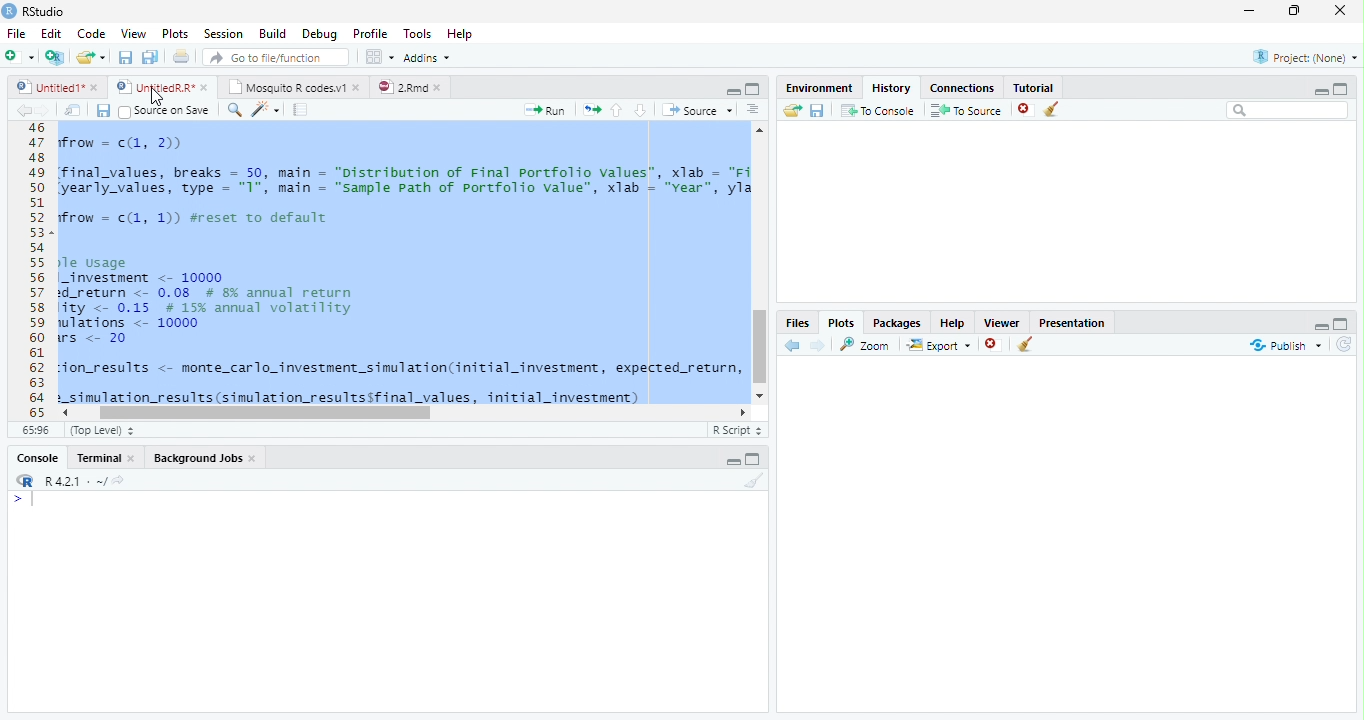 Image resolution: width=1364 pixels, height=720 pixels. I want to click on Search, so click(1288, 110).